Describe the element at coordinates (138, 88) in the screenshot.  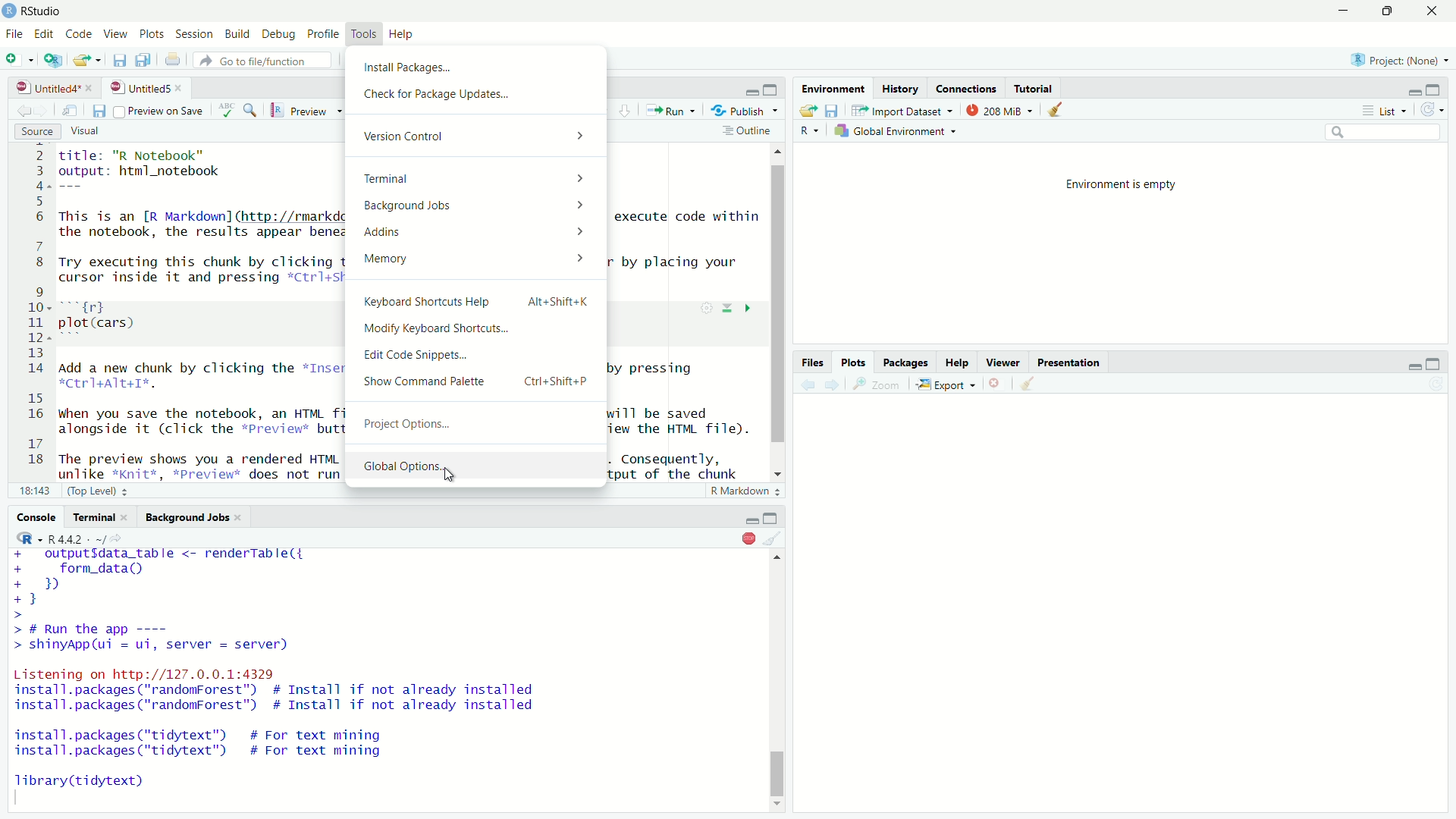
I see `Untitled5` at that location.